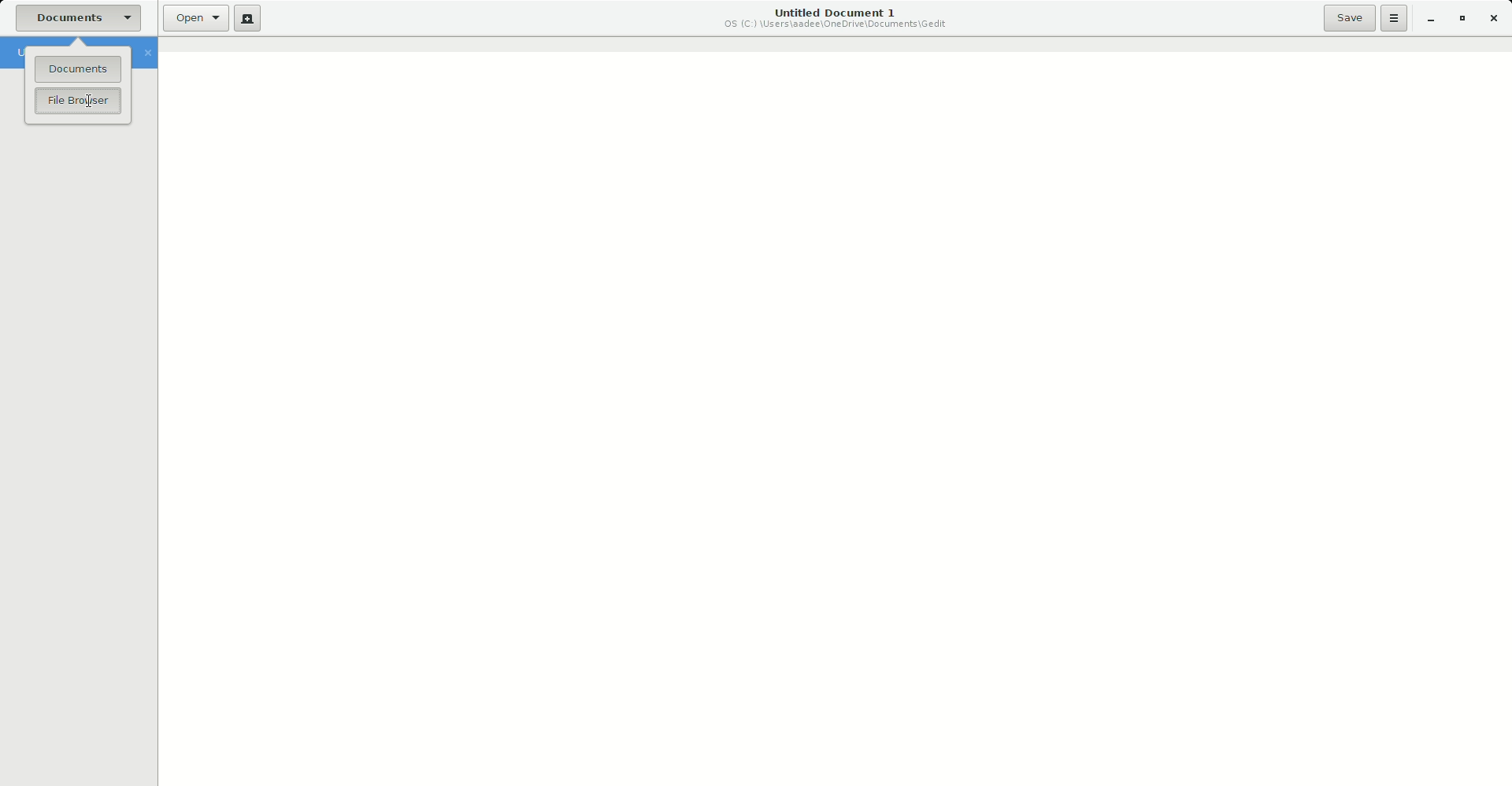 This screenshot has width=1512, height=786. I want to click on Restore, so click(1462, 17).